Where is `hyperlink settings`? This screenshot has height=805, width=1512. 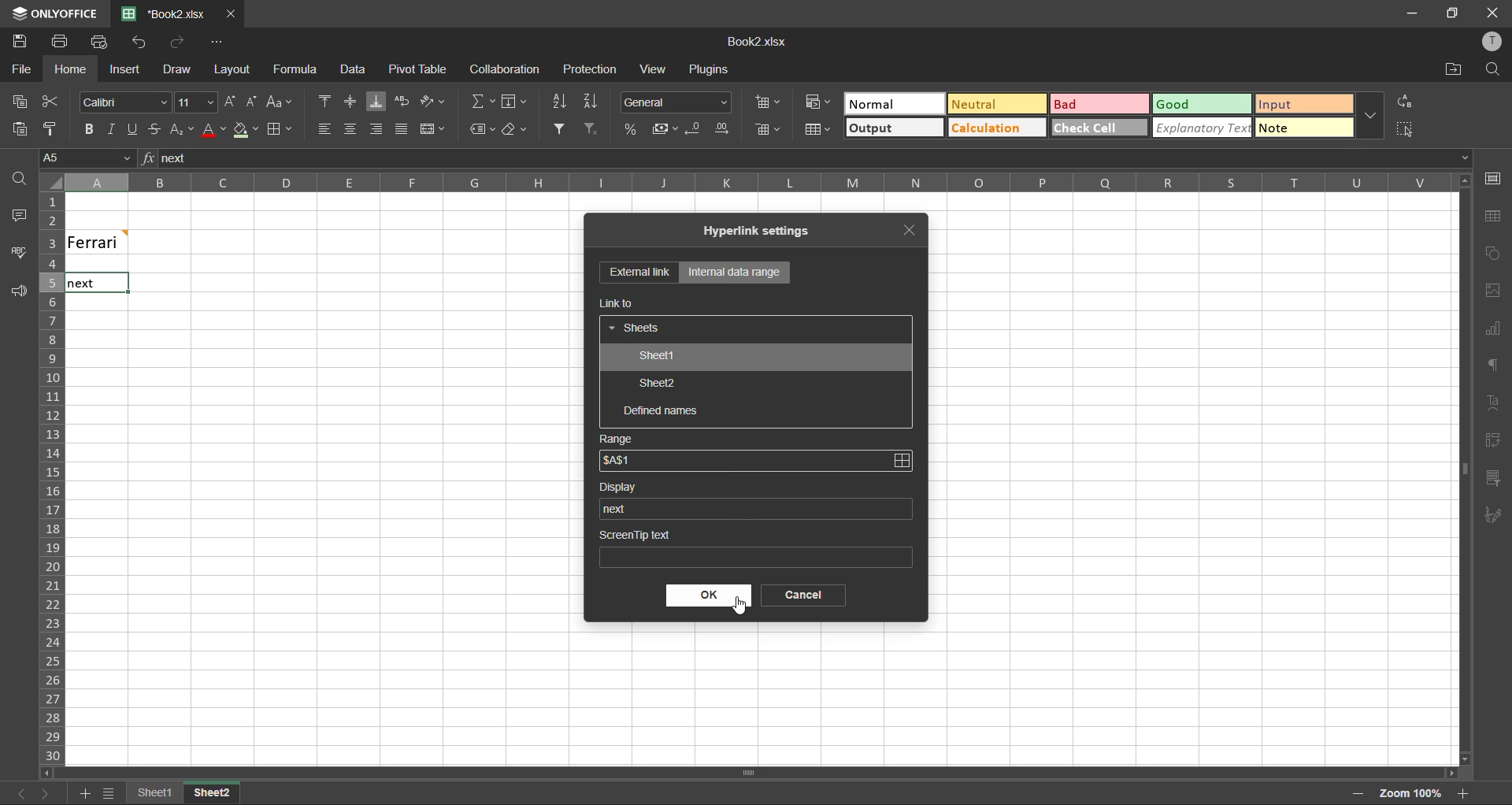 hyperlink settings is located at coordinates (765, 232).